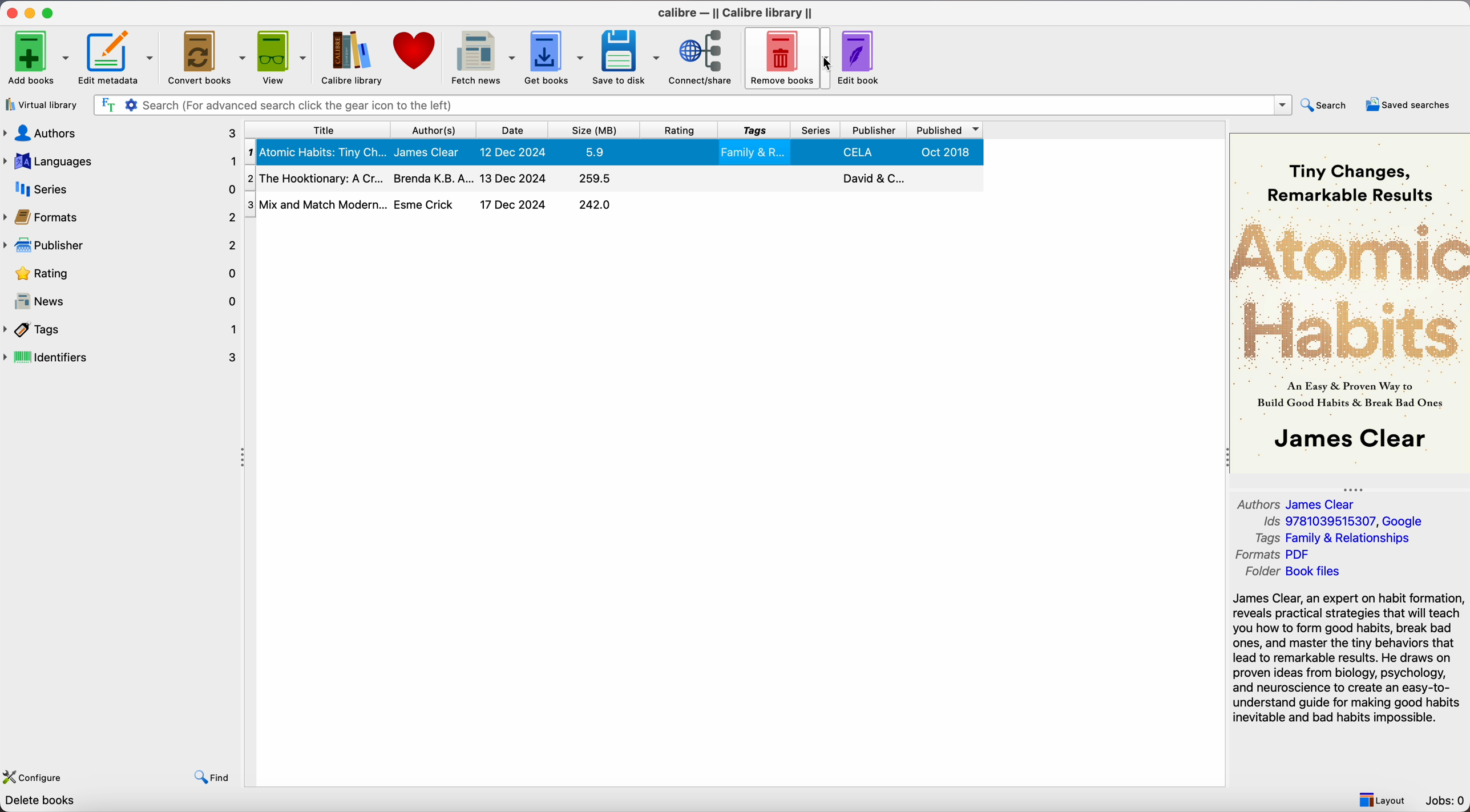  Describe the element at coordinates (947, 130) in the screenshot. I see `published` at that location.